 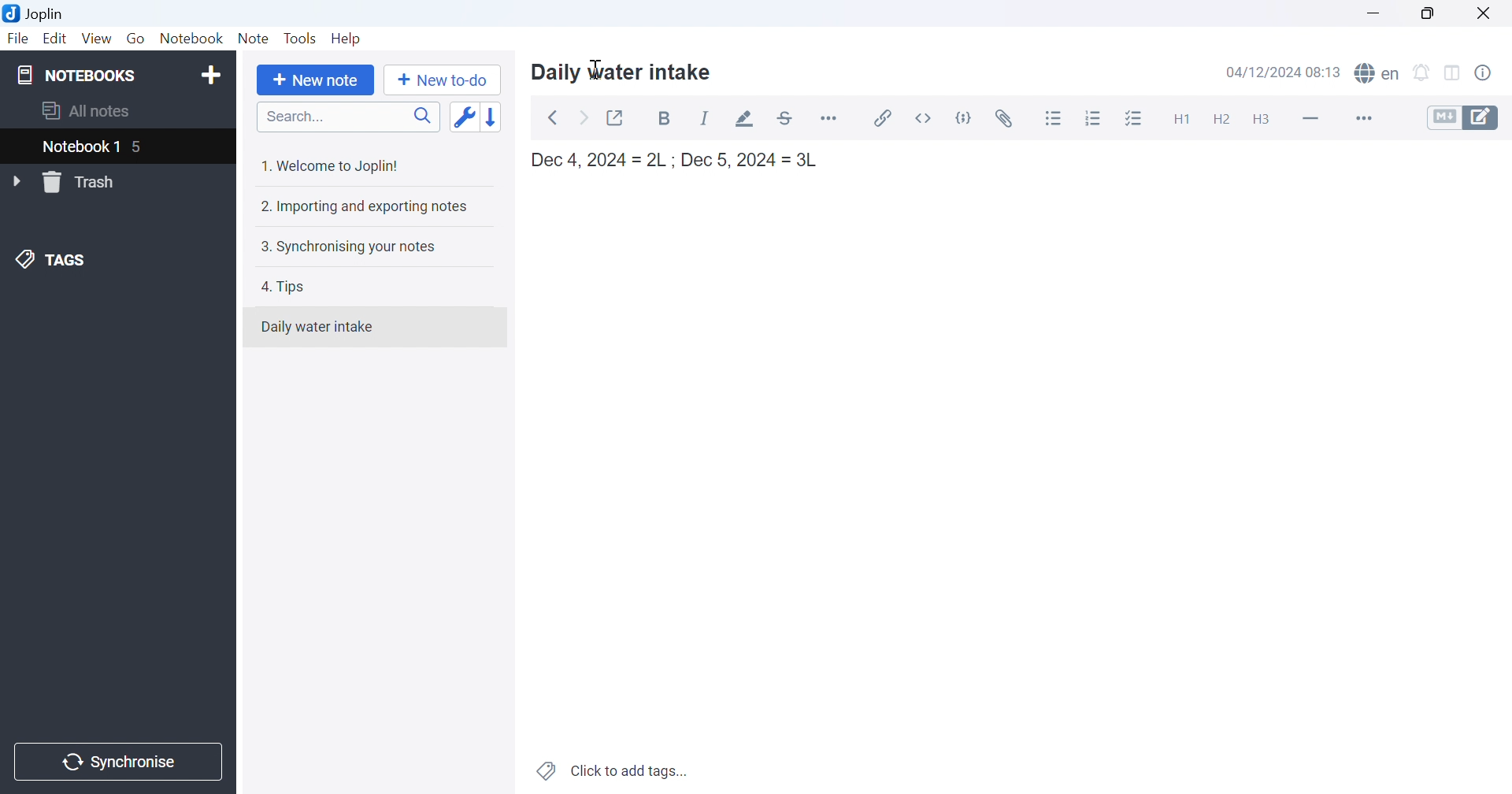 What do you see at coordinates (367, 206) in the screenshot?
I see `2. Importing and exporting notes` at bounding box center [367, 206].